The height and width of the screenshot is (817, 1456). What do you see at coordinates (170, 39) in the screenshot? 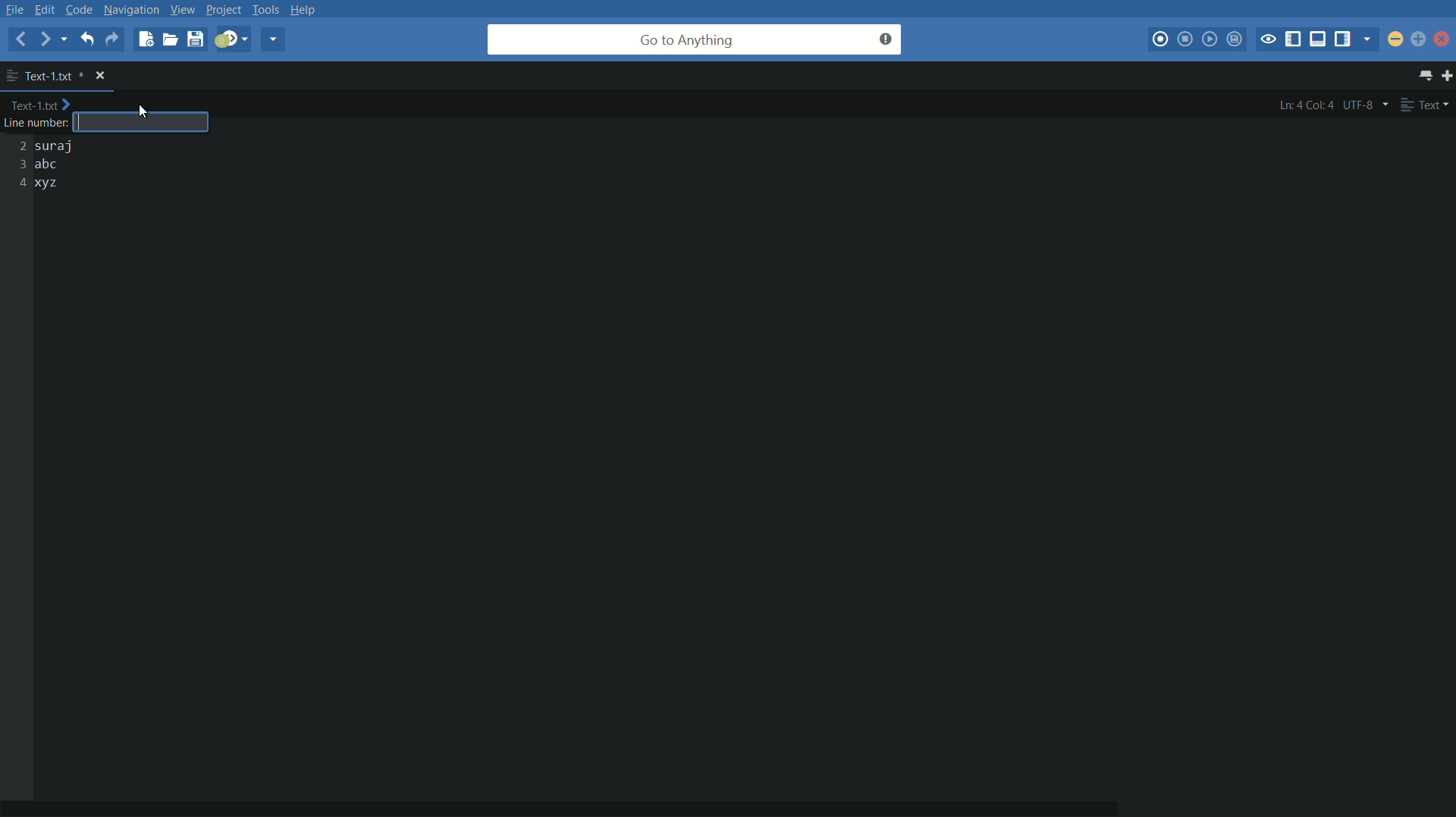
I see `open file` at bounding box center [170, 39].